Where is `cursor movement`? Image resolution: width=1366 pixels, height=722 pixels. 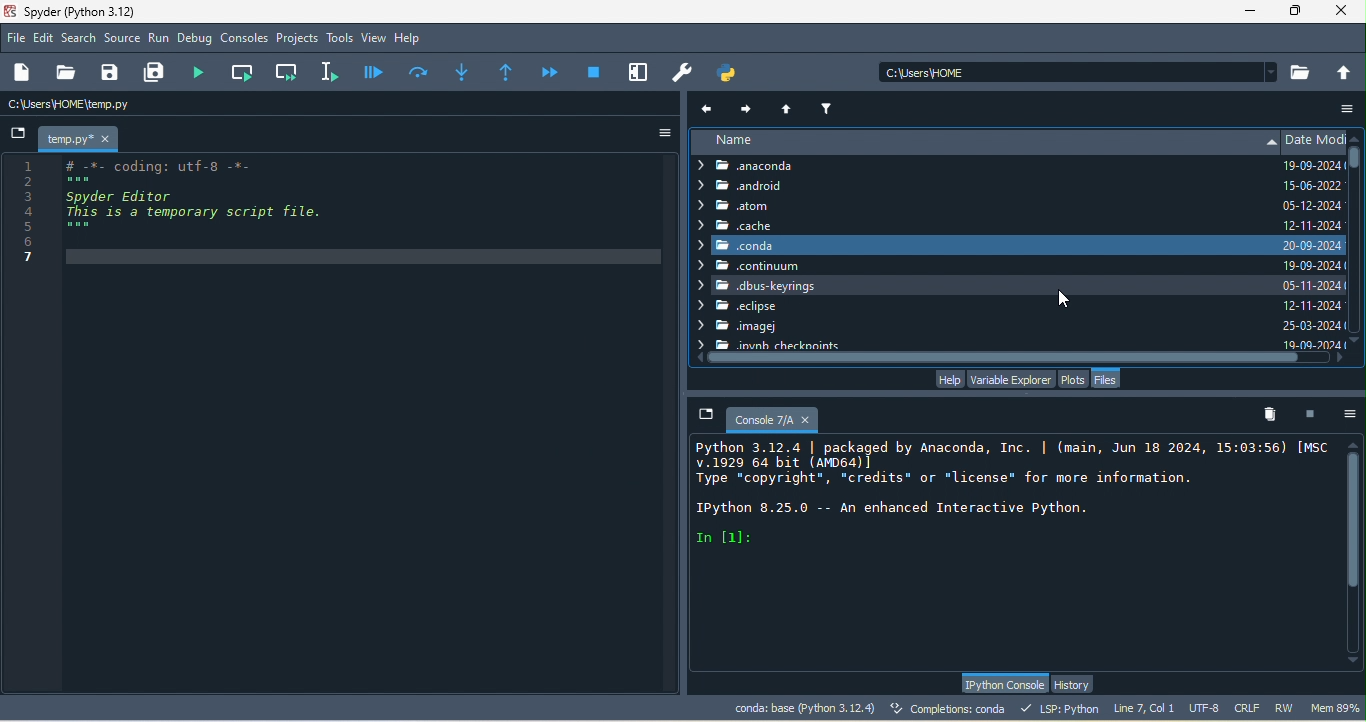 cursor movement is located at coordinates (1069, 296).